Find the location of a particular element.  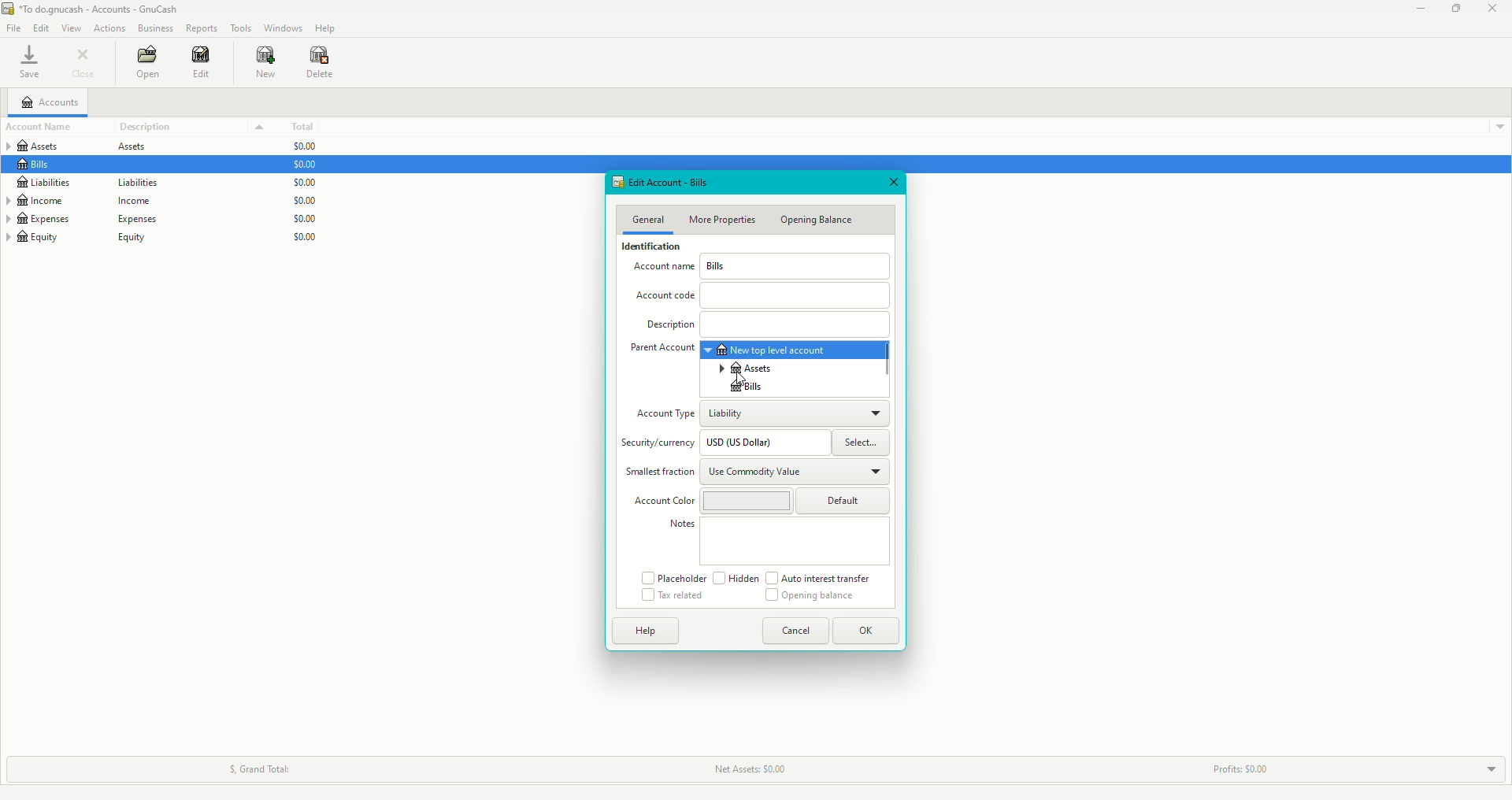

Close is located at coordinates (892, 182).